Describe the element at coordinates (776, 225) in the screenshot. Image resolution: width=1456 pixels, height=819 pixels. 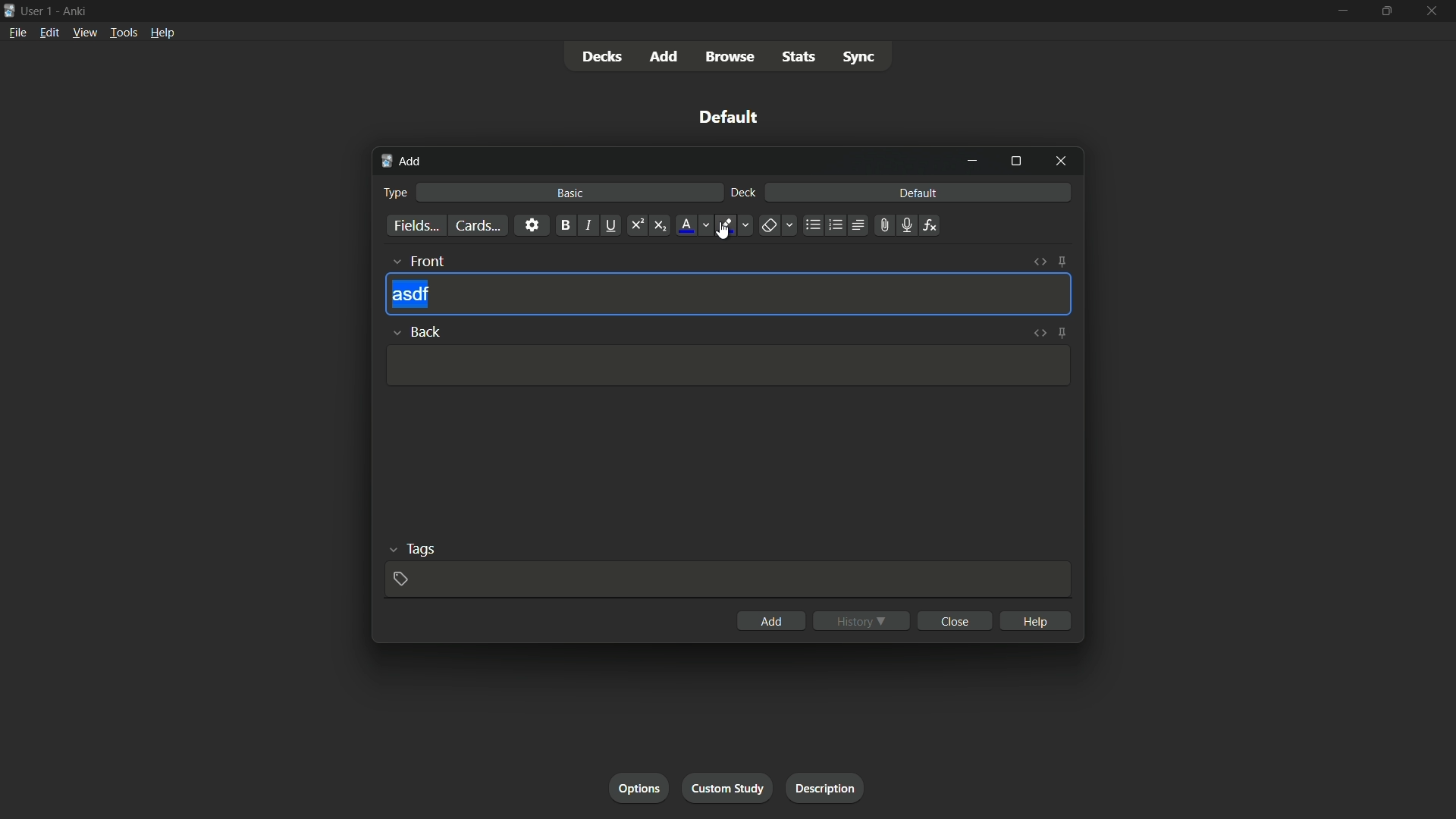
I see `remove formatting` at that location.